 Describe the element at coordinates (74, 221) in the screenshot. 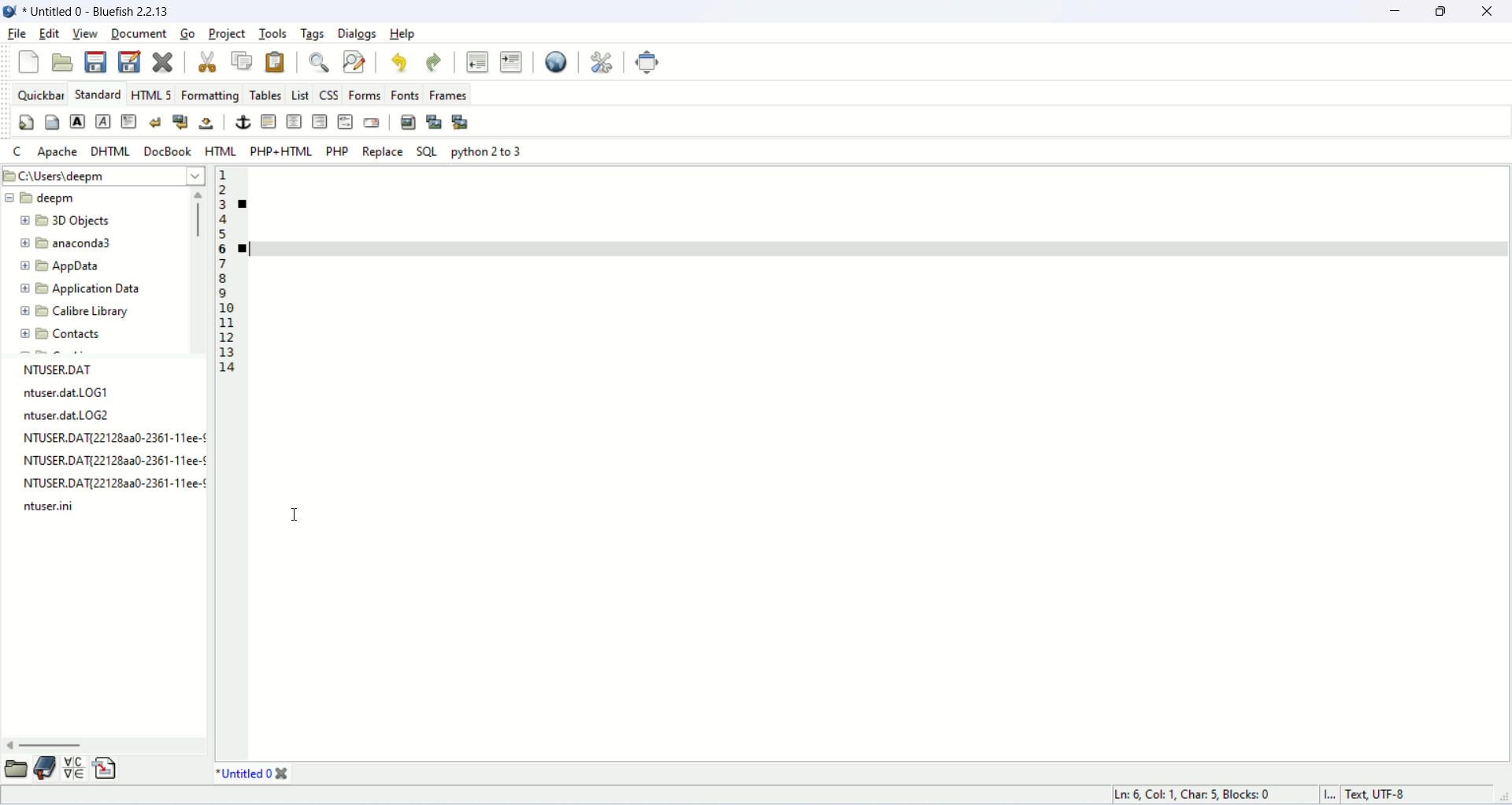

I see `3D Objects` at that location.